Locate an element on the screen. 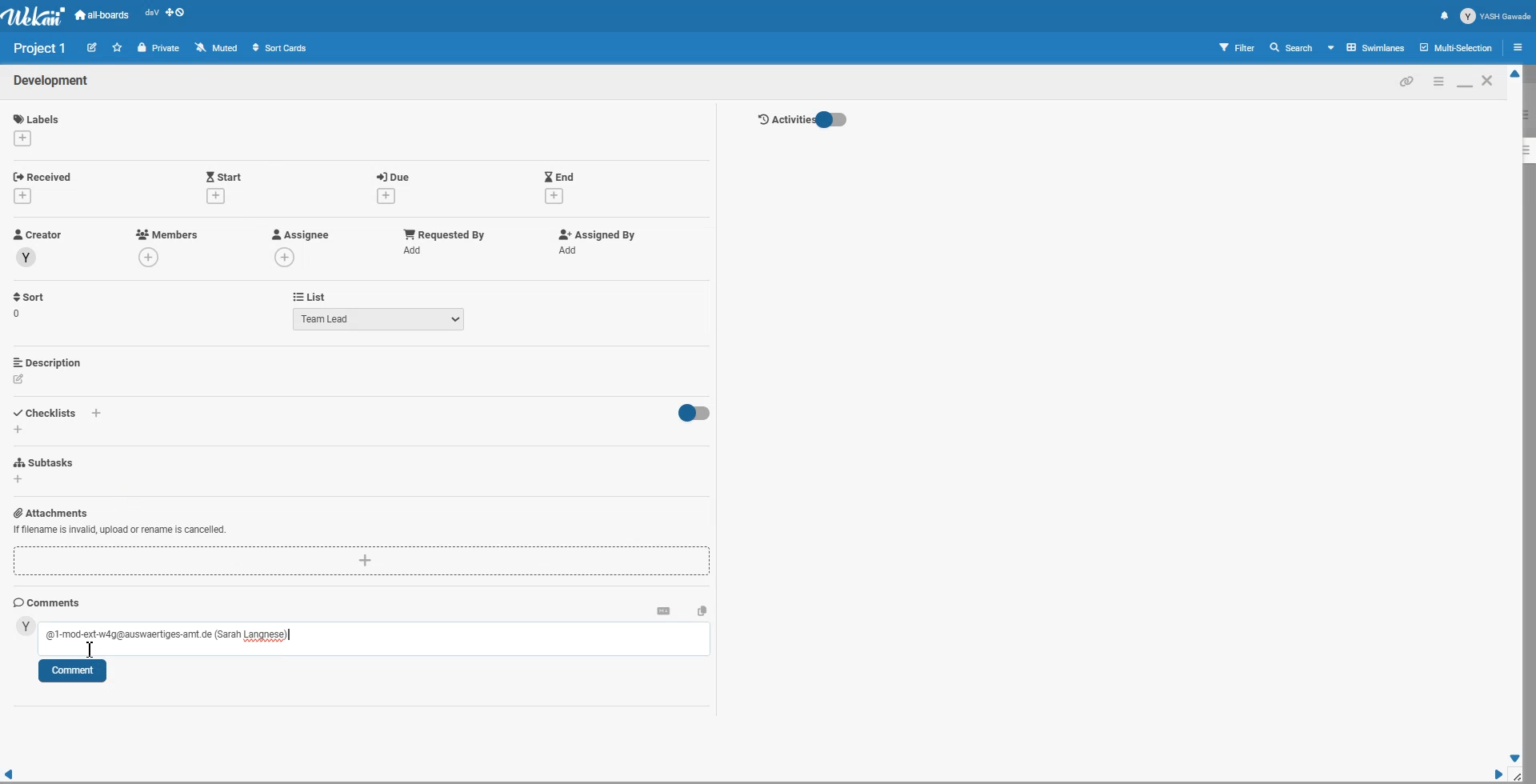  Close is located at coordinates (1489, 80).